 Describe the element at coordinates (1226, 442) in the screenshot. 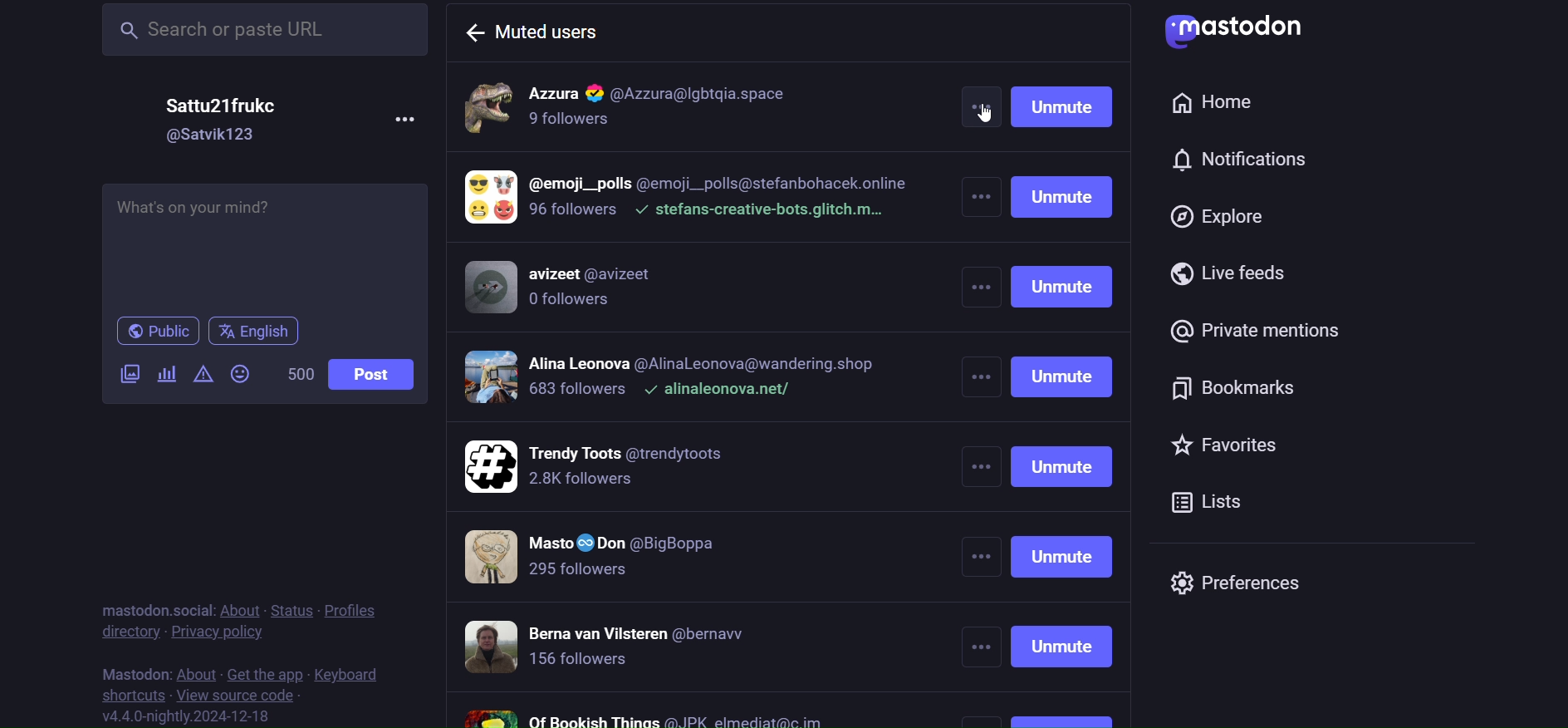

I see `favorites` at that location.